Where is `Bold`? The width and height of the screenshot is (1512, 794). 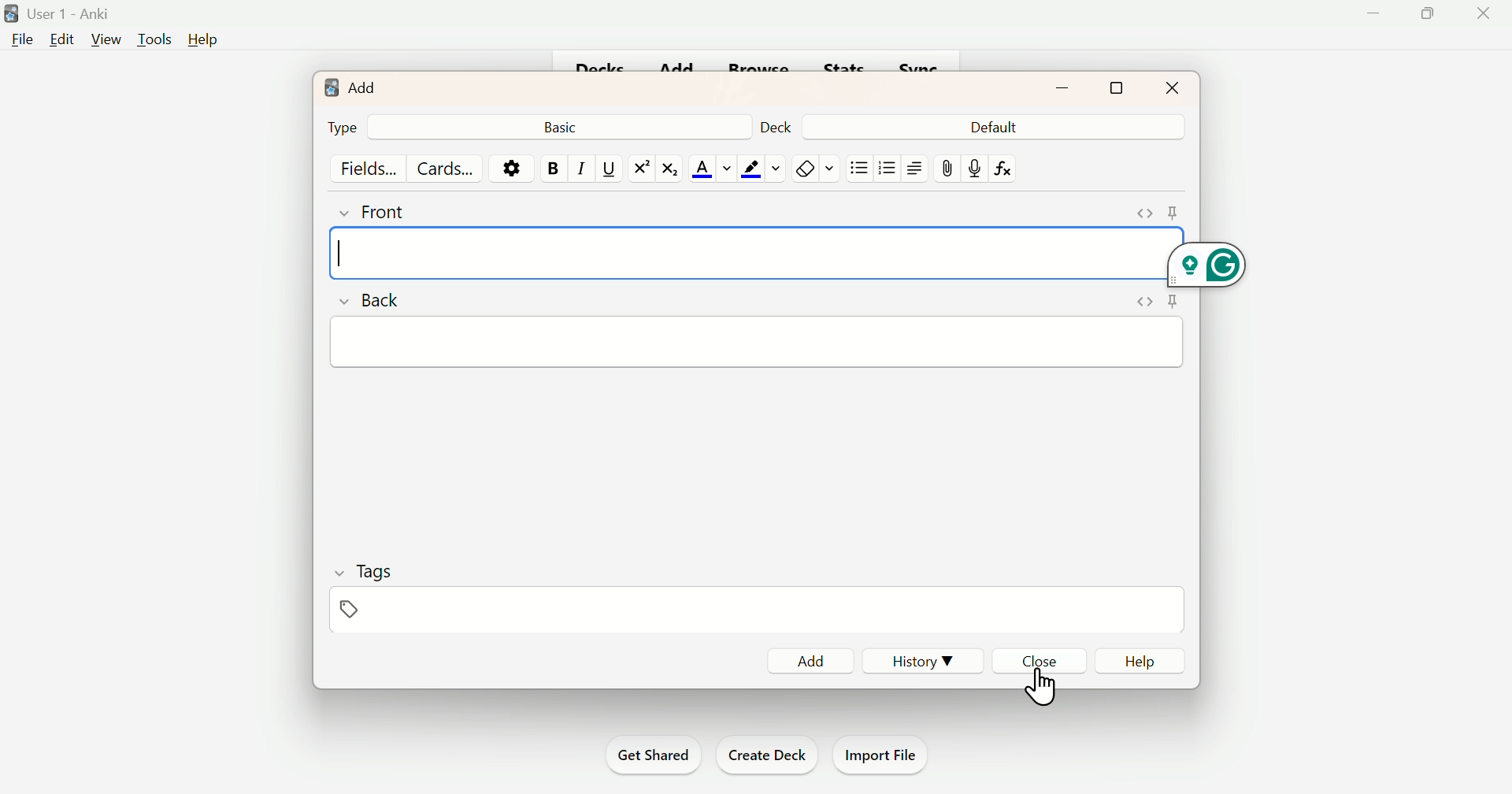
Bold is located at coordinates (549, 169).